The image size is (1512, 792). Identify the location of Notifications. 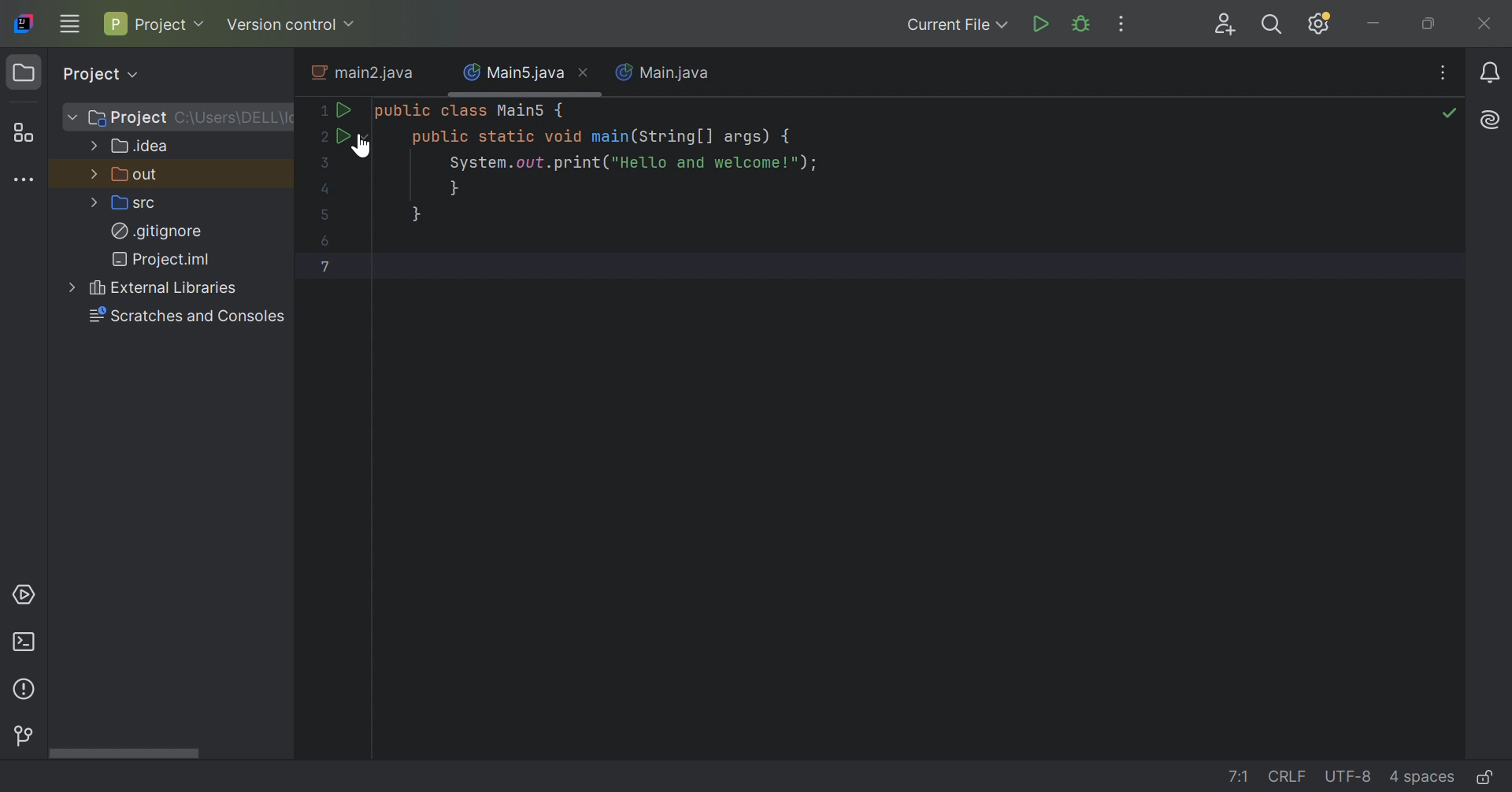
(1492, 72).